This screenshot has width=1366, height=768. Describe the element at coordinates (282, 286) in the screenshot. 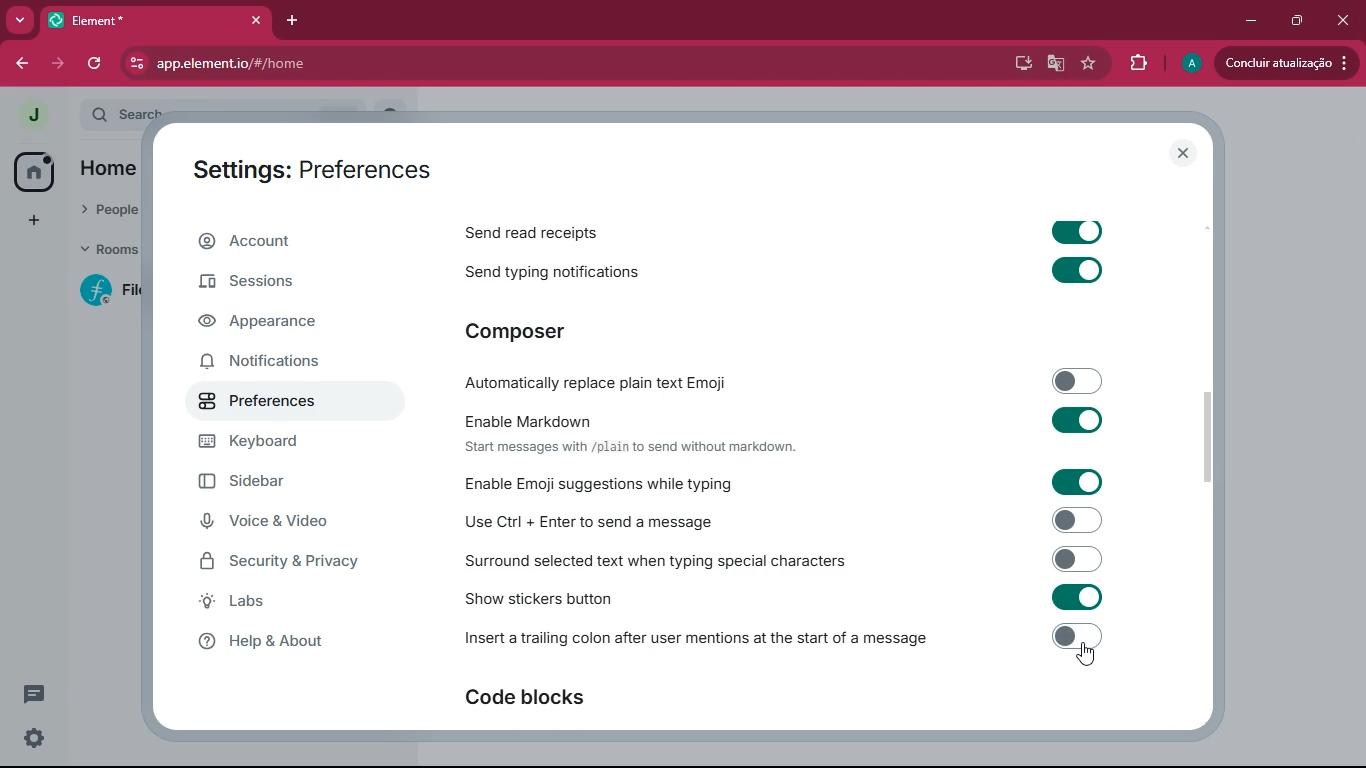

I see `sessions` at that location.